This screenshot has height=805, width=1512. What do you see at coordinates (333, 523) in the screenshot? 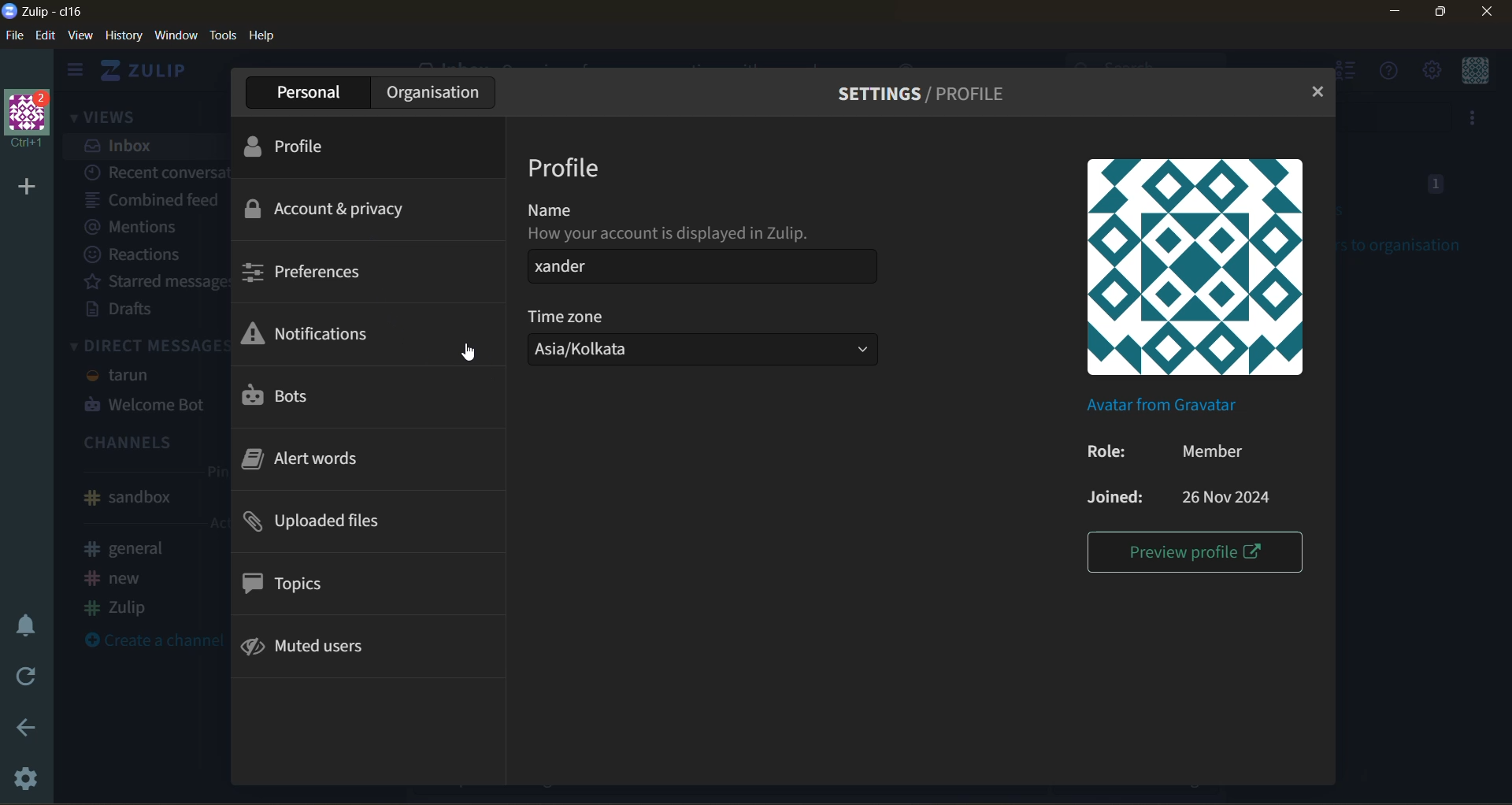
I see `uploaded files` at bounding box center [333, 523].